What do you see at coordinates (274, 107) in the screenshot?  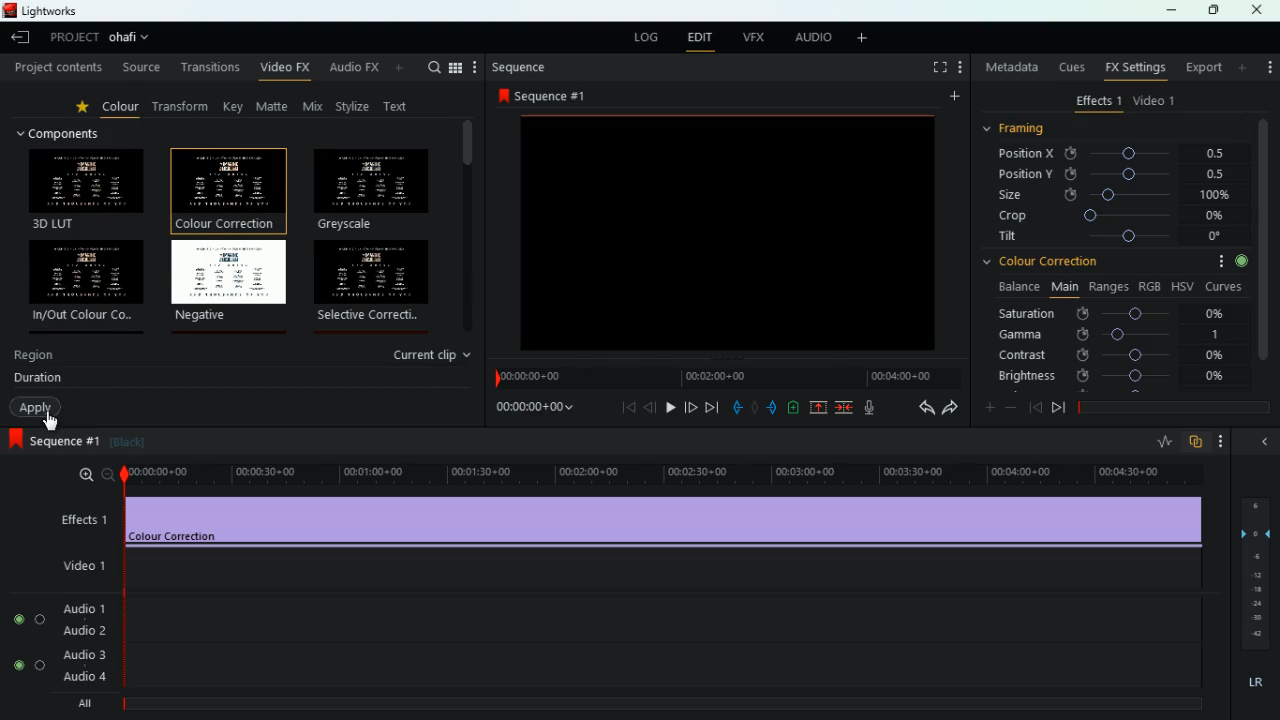 I see `matte` at bounding box center [274, 107].